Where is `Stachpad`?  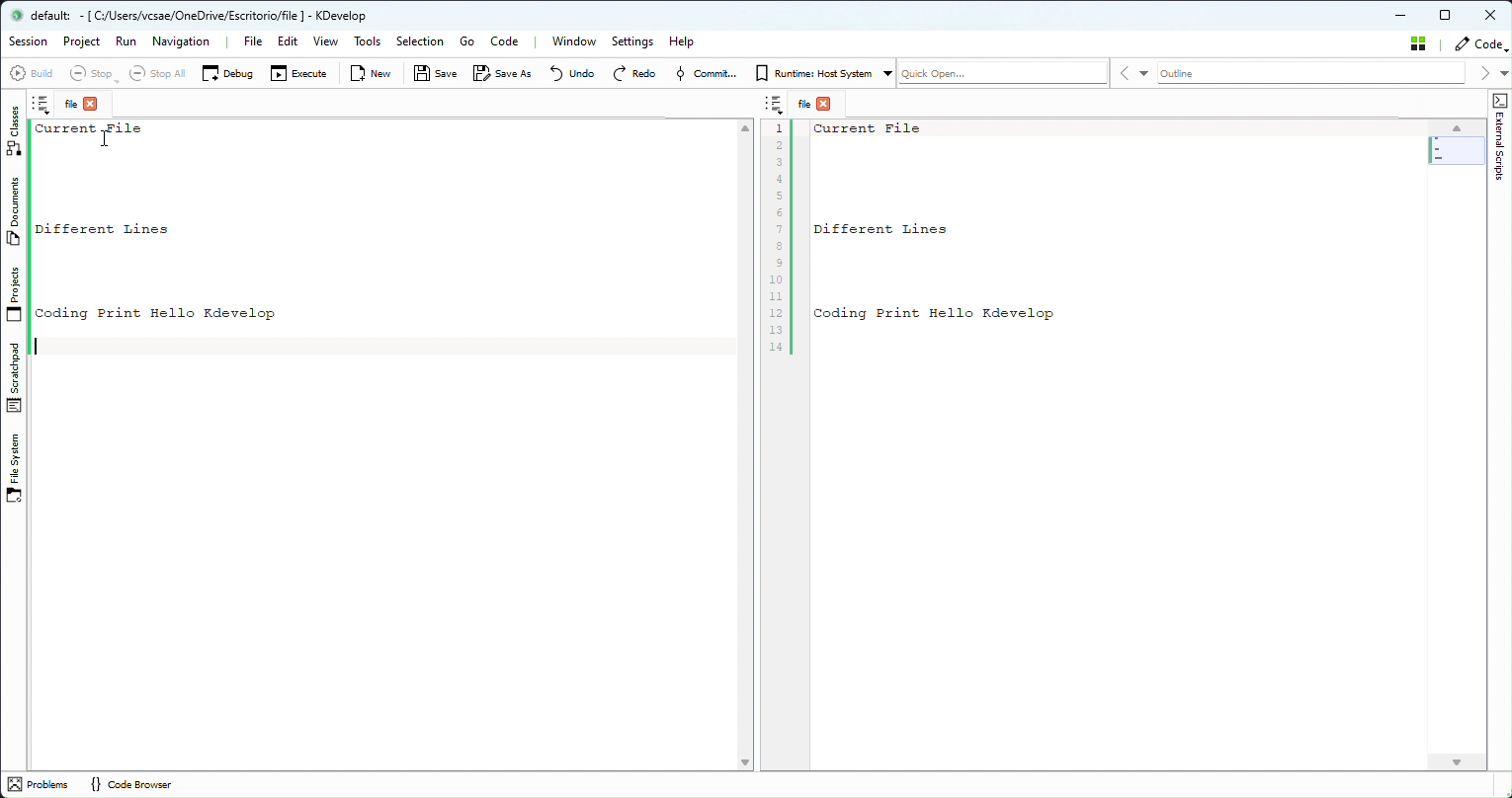
Stachpad is located at coordinates (18, 379).